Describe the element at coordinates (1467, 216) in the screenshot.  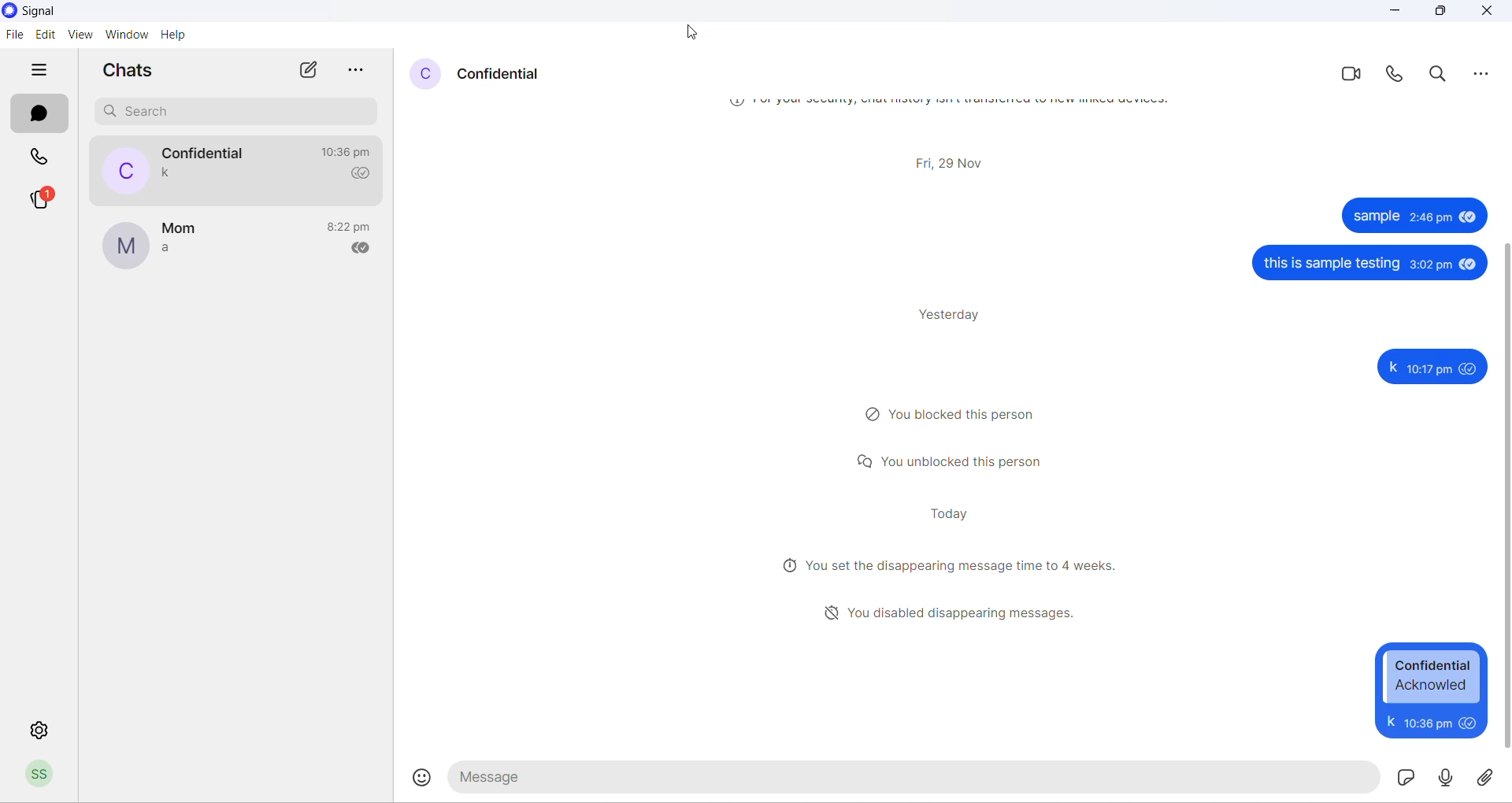
I see `seen` at that location.